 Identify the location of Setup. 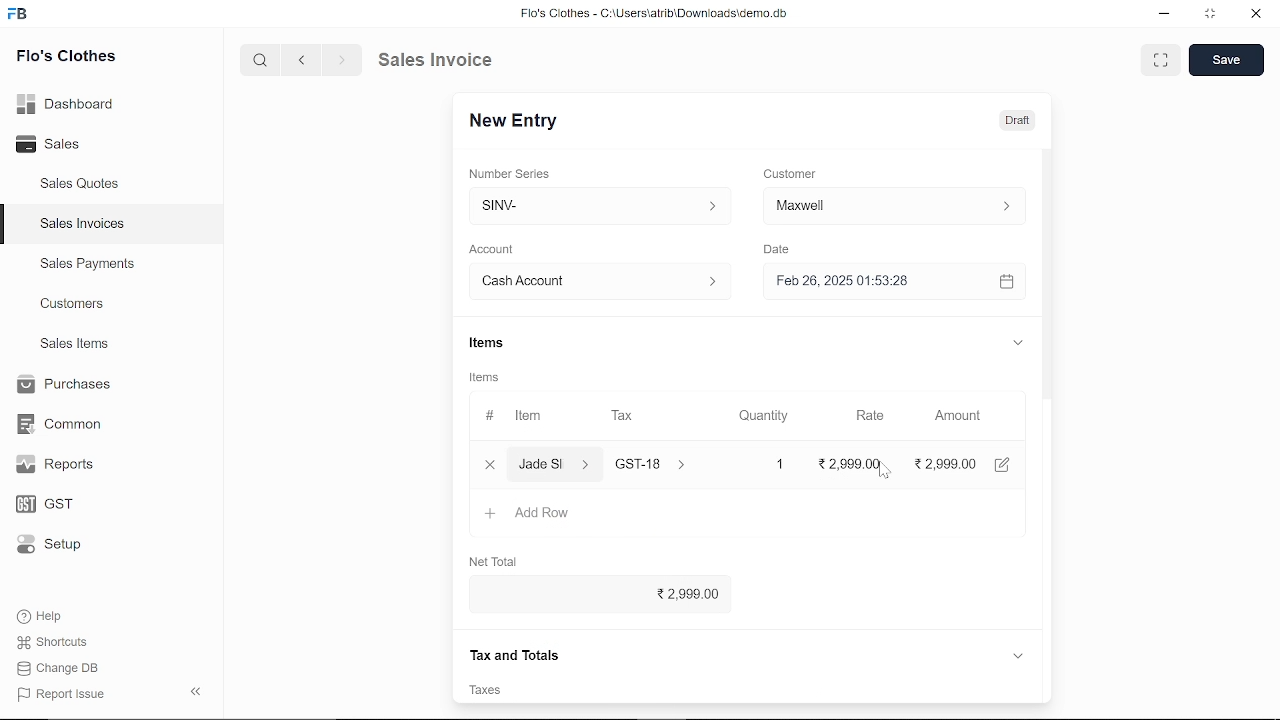
(63, 546).